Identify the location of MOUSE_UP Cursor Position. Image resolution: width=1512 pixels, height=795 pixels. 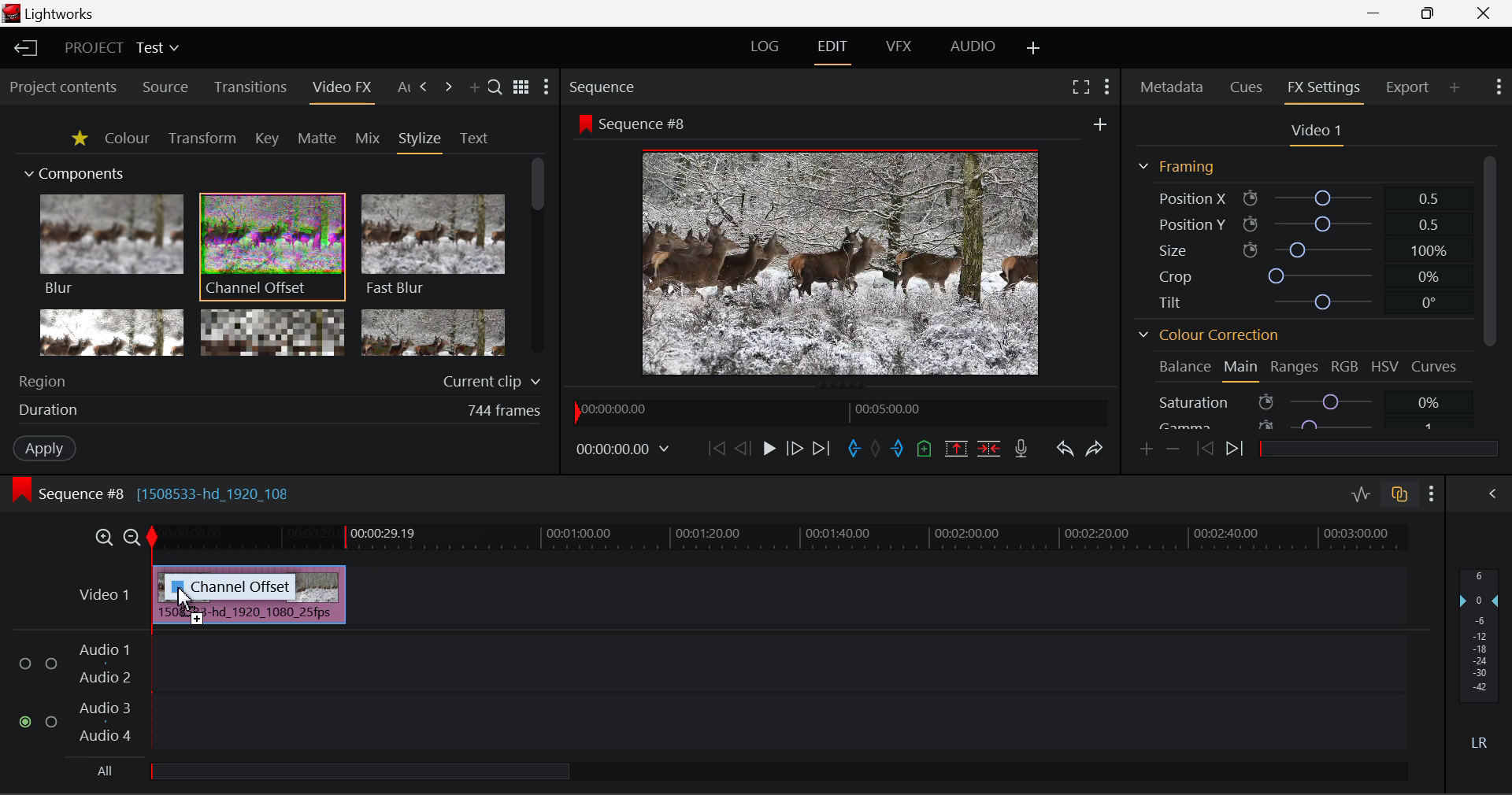
(180, 598).